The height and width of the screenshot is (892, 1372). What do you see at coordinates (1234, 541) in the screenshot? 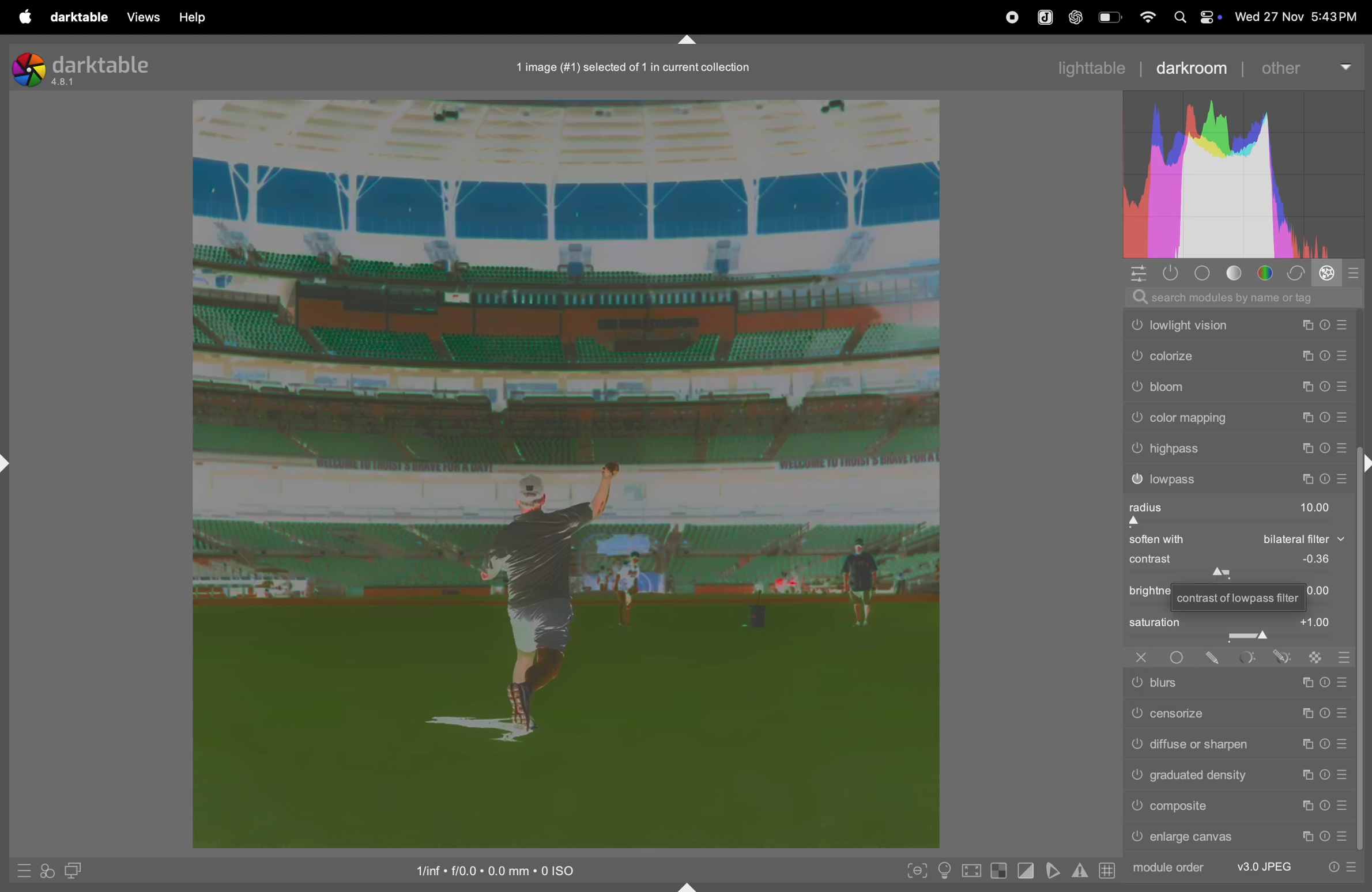
I see `soften with bilateral filter` at bounding box center [1234, 541].